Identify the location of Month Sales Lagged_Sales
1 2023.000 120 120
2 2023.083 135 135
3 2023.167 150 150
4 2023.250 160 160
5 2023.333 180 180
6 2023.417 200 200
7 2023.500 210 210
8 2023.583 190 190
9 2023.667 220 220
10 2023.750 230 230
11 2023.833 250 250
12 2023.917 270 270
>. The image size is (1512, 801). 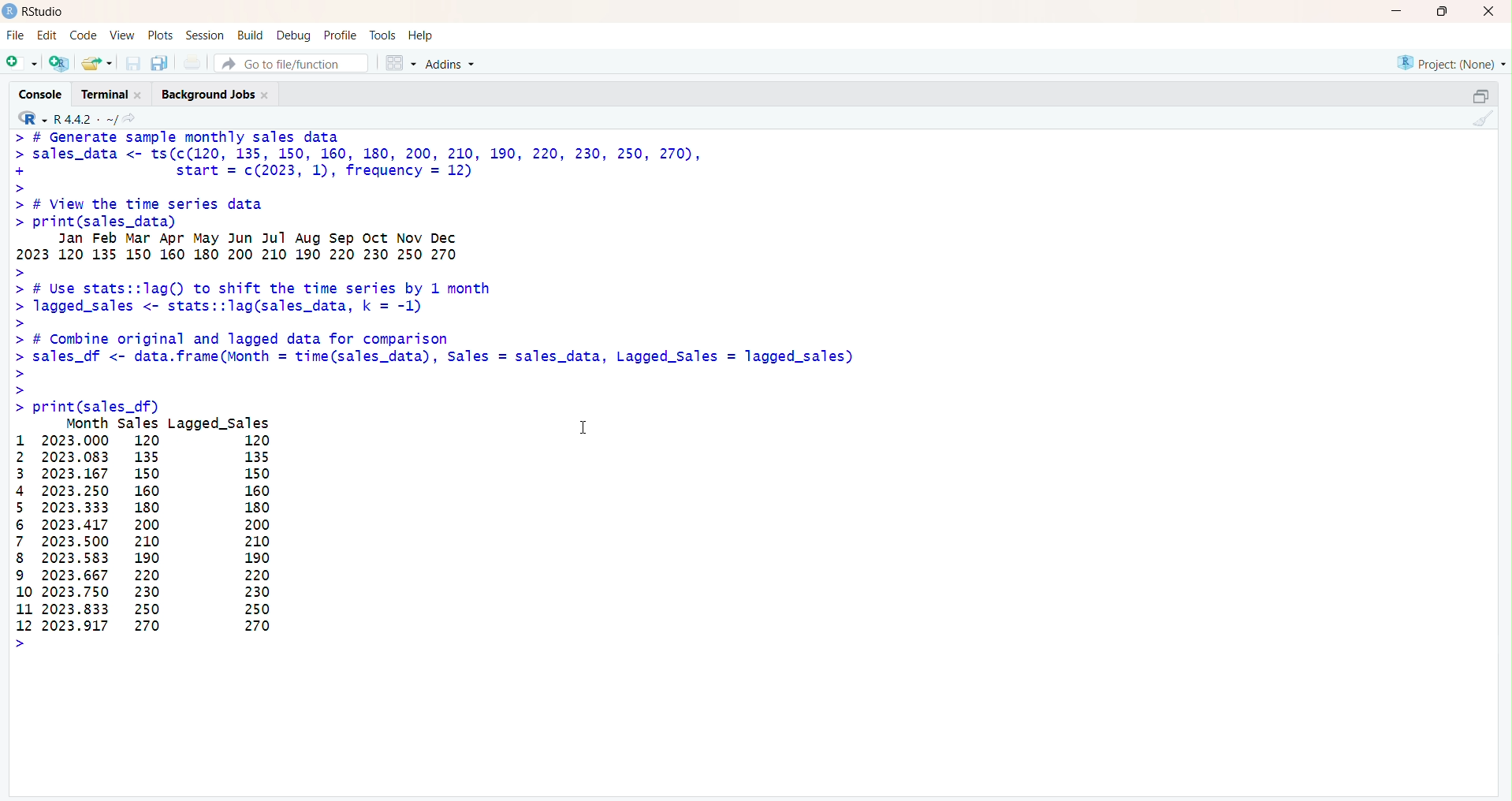
(170, 536).